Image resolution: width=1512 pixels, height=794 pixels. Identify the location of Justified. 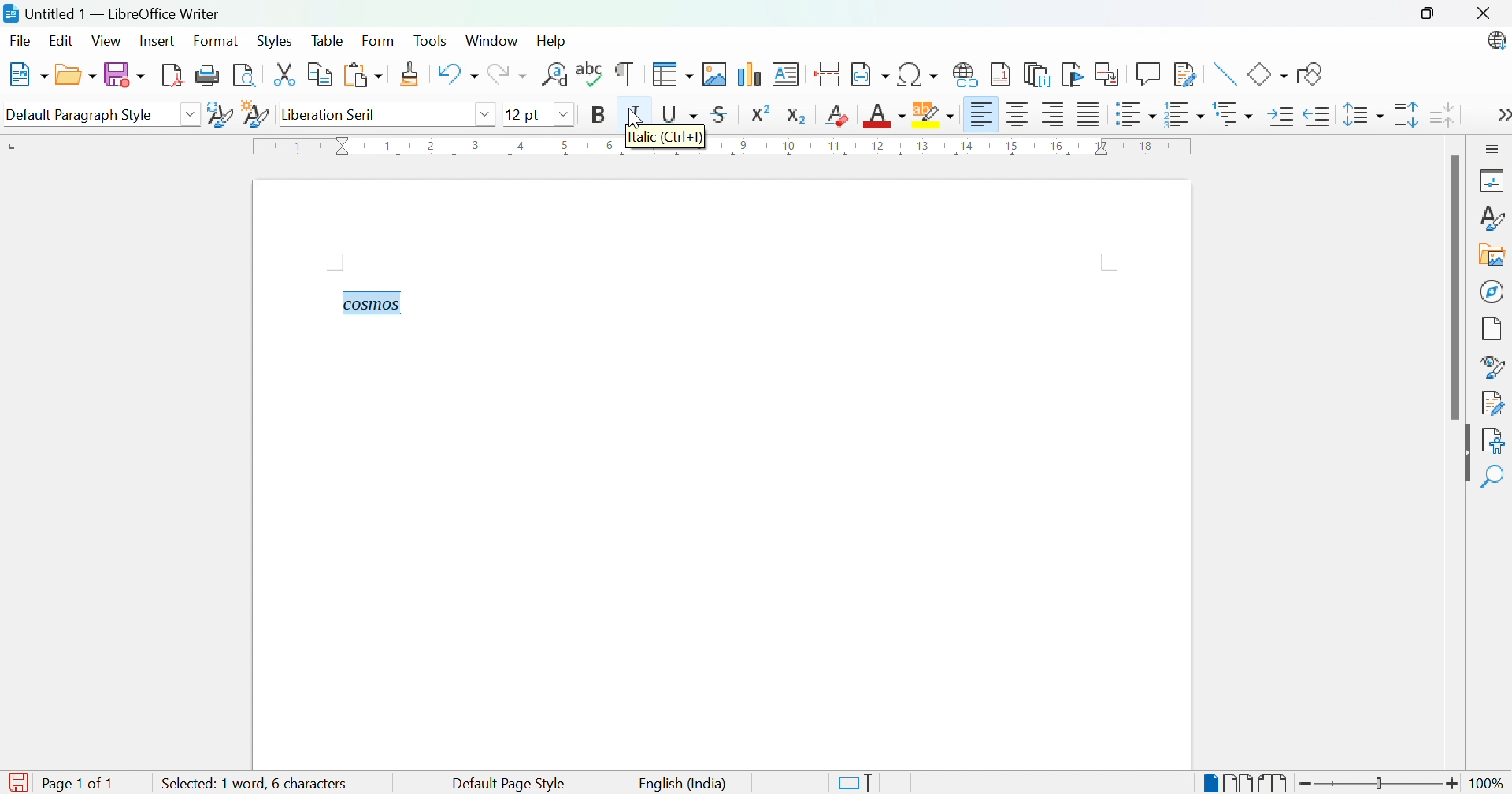
(1090, 115).